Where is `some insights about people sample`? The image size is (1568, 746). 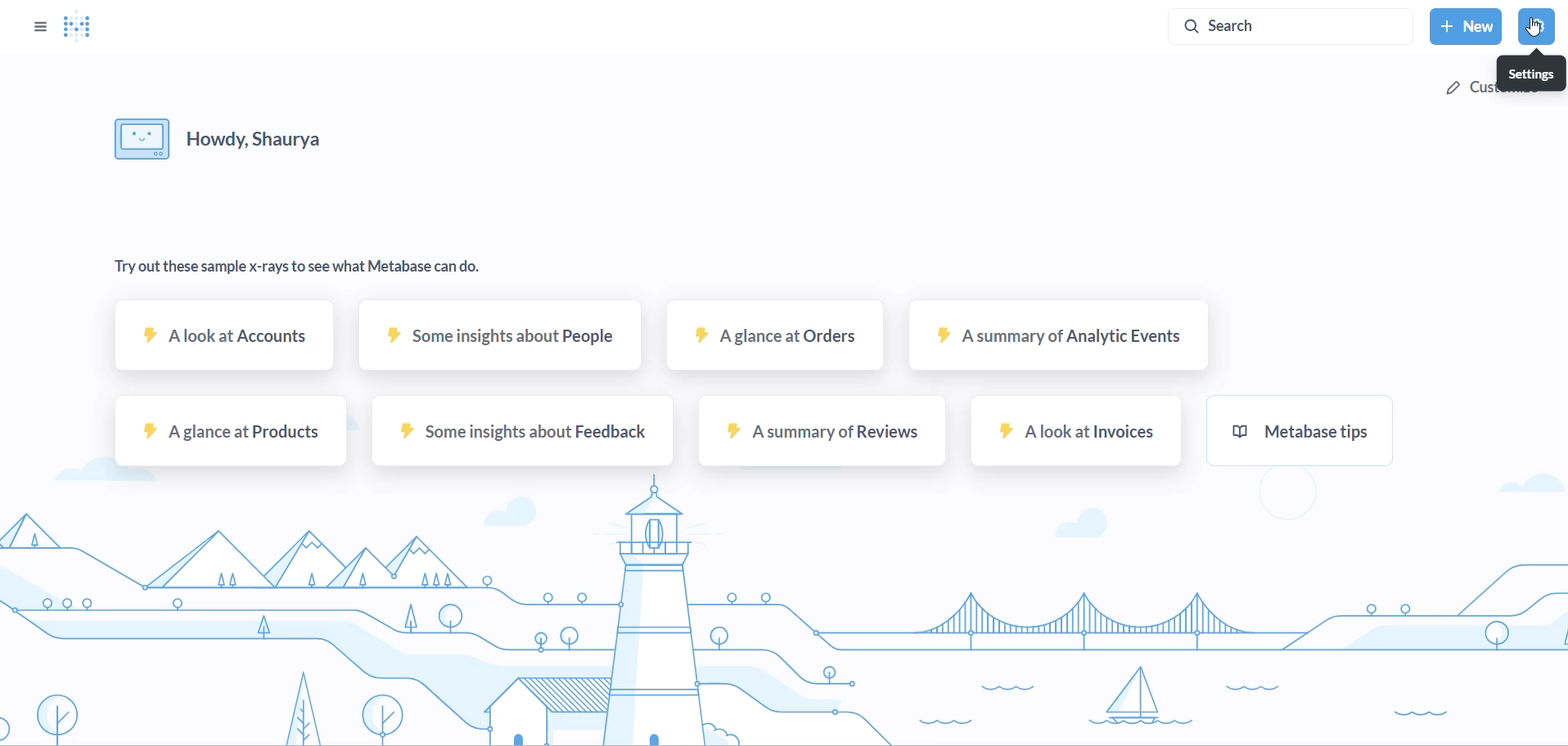
some insights about people sample is located at coordinates (497, 344).